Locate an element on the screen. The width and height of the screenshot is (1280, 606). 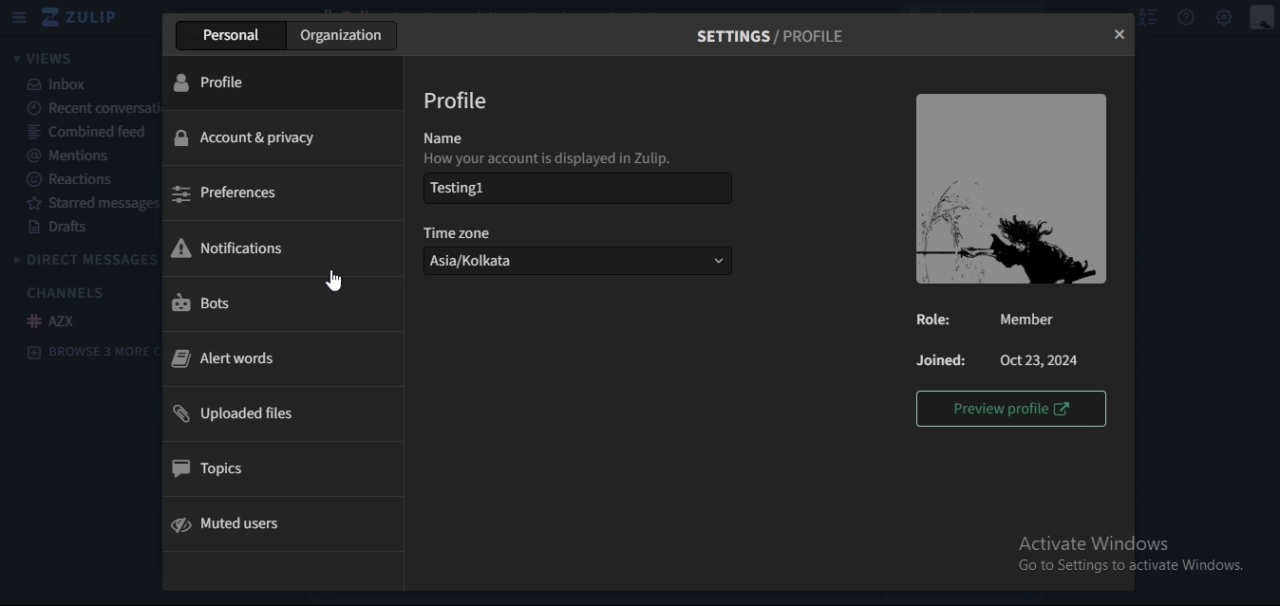
mute users is located at coordinates (226, 528).